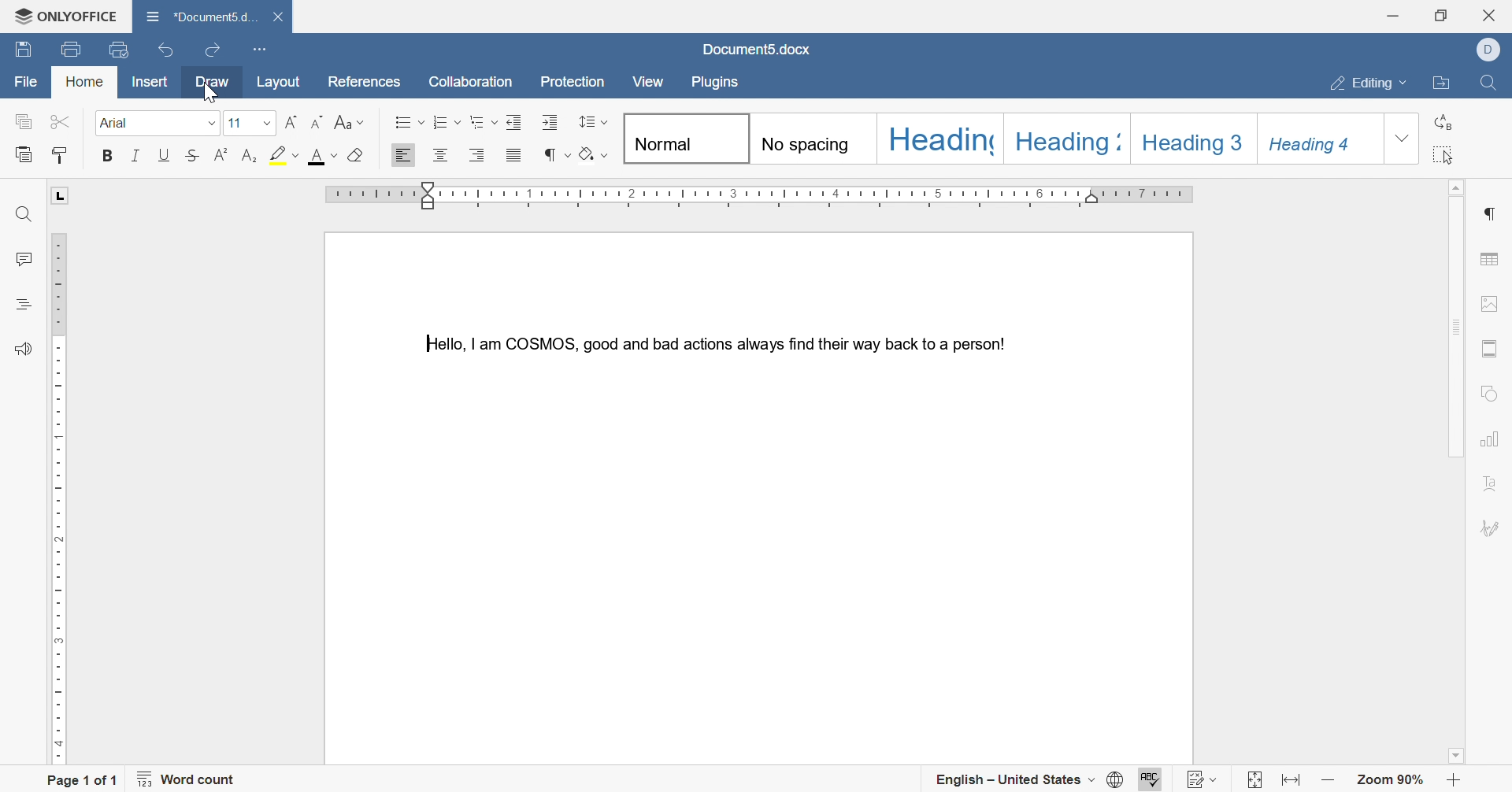  Describe the element at coordinates (245, 157) in the screenshot. I see `subscript` at that location.